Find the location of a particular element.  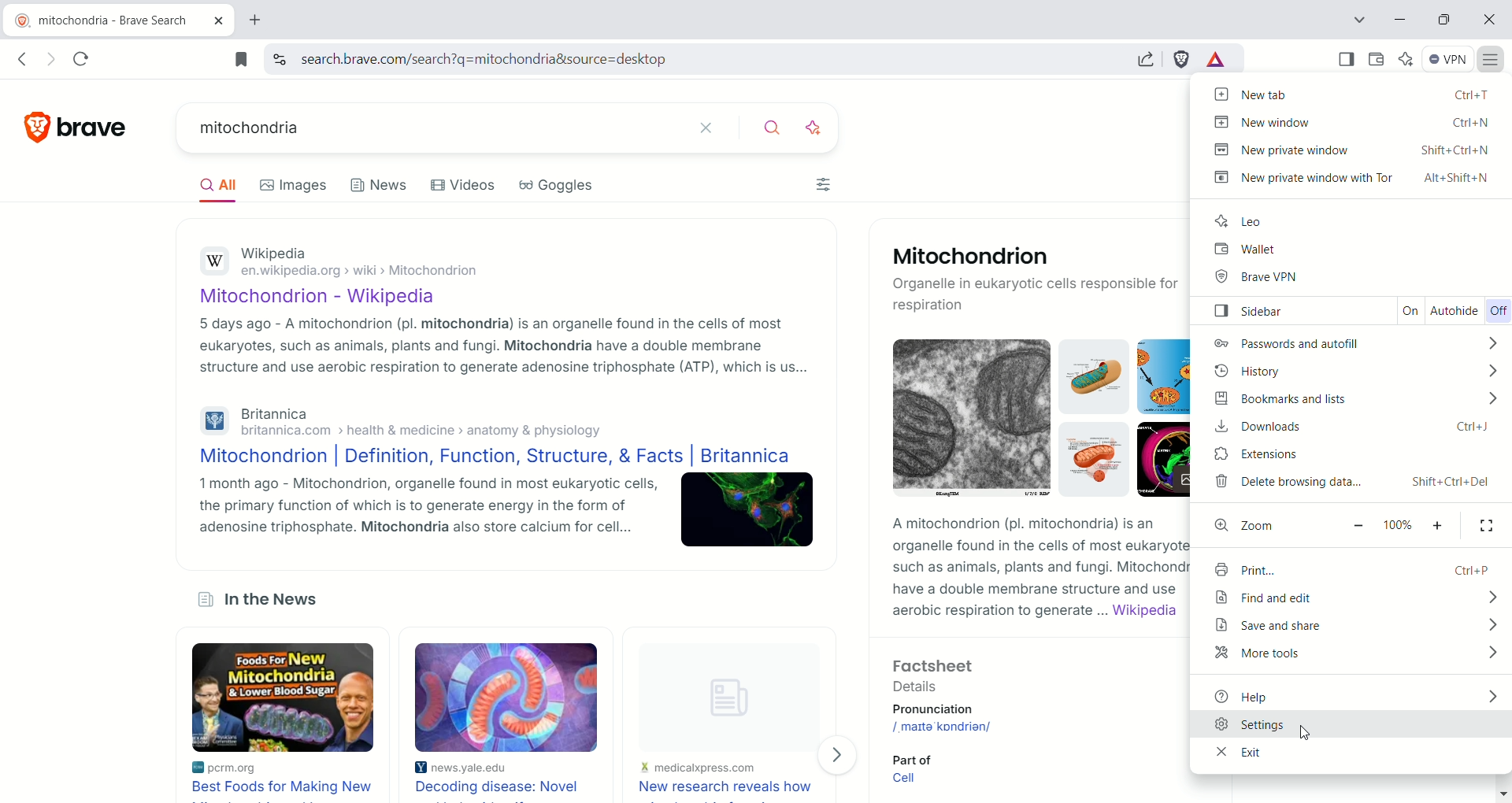

new private window is located at coordinates (1351, 149).